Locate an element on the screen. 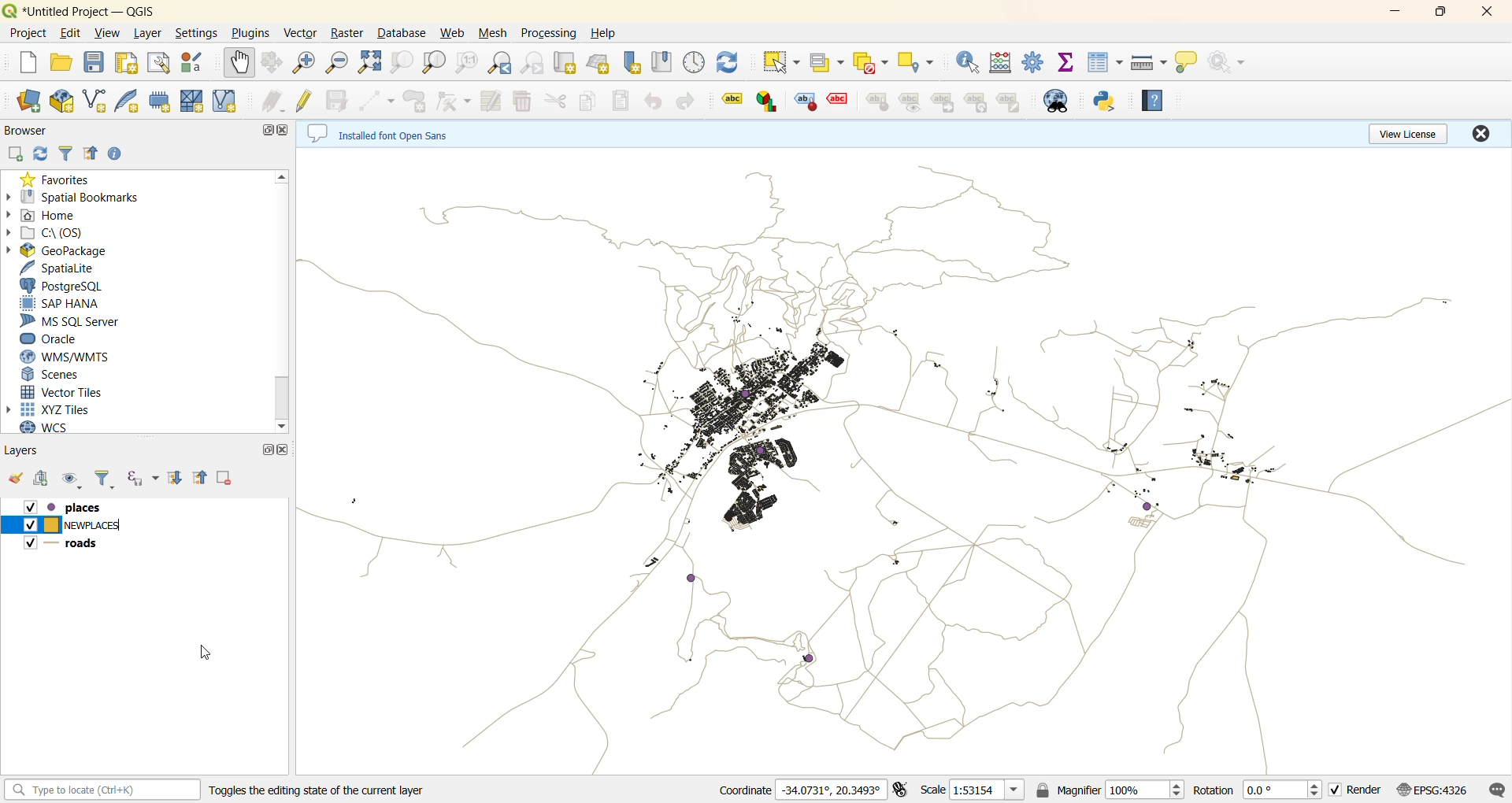 The width and height of the screenshot is (1512, 803). manage map is located at coordinates (72, 480).